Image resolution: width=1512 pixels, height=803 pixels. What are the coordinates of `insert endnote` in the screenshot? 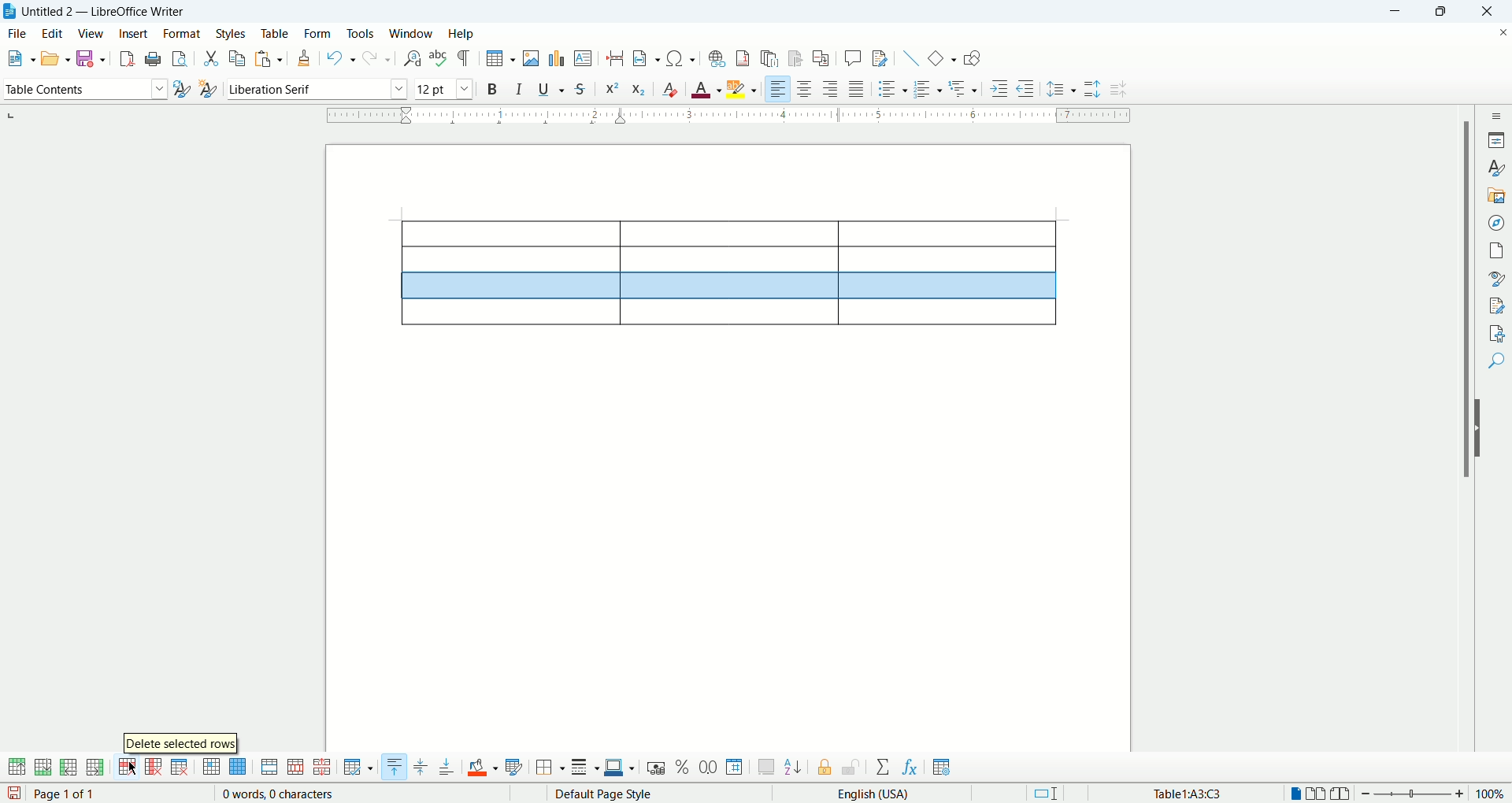 It's located at (769, 57).